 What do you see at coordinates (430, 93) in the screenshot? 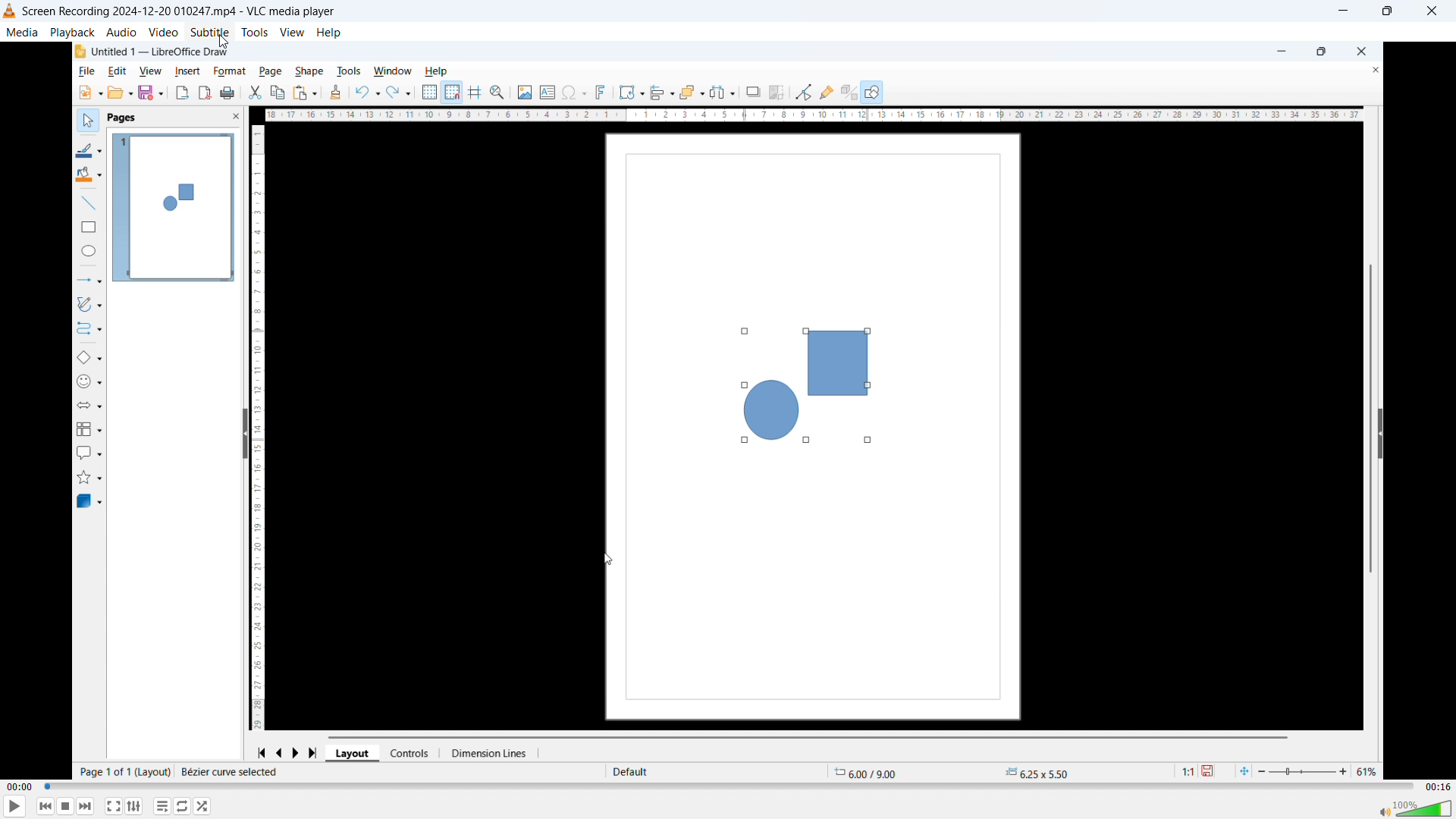
I see `display grid` at bounding box center [430, 93].